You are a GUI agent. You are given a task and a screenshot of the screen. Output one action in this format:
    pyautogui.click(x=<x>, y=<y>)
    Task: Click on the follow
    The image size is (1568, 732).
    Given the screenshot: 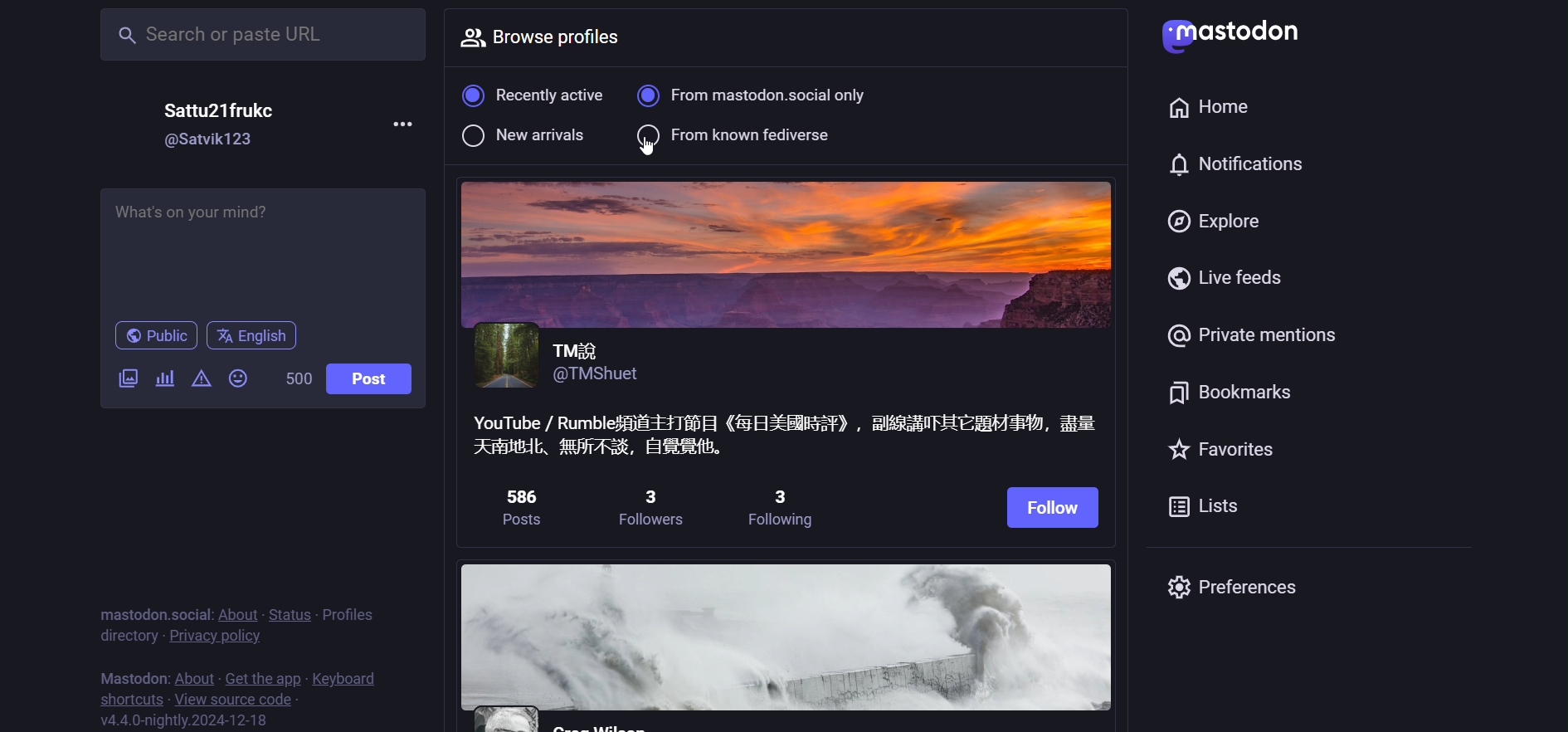 What is the action you would take?
    pyautogui.click(x=1050, y=506)
    